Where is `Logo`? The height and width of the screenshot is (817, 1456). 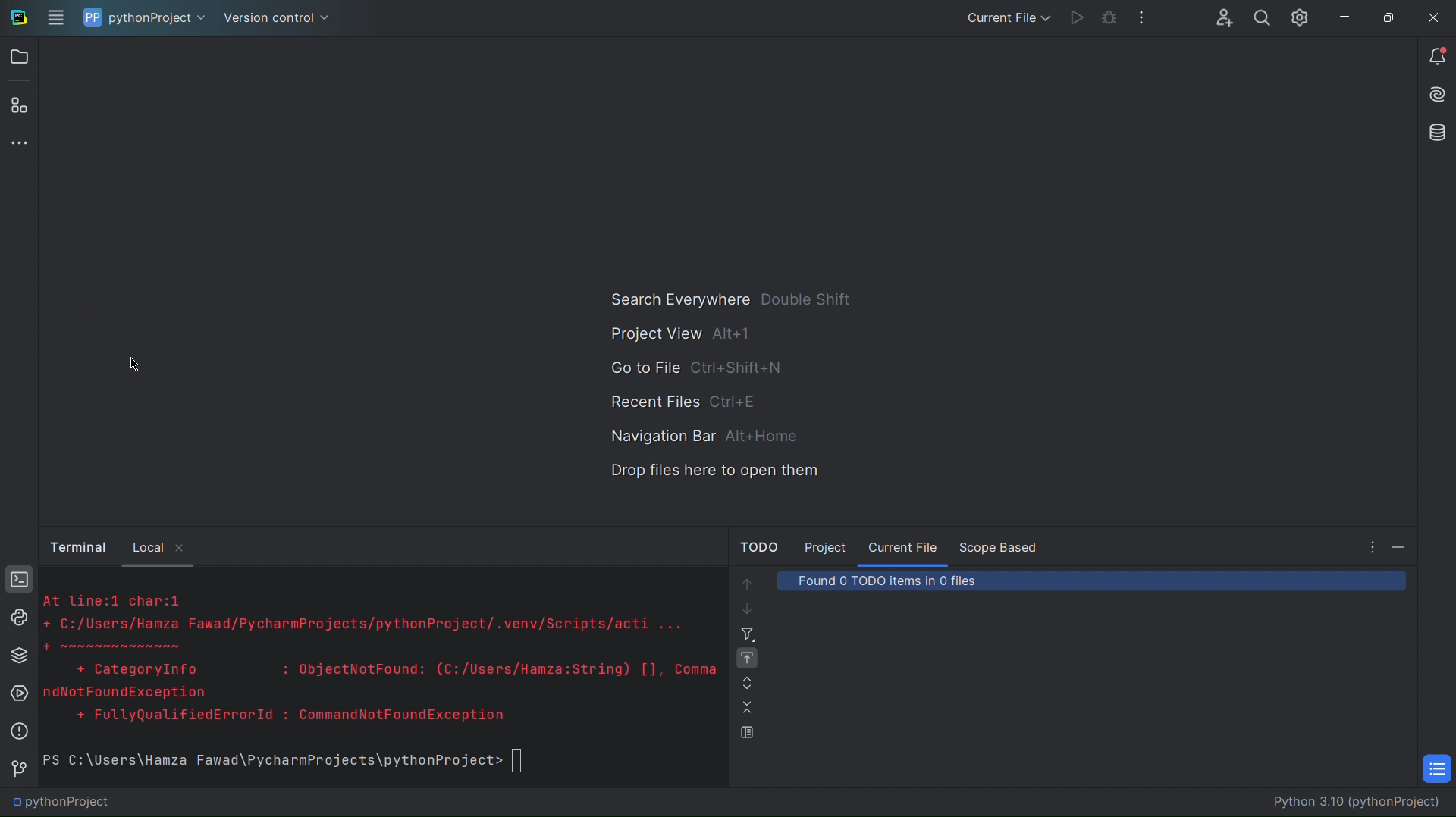 Logo is located at coordinates (19, 19).